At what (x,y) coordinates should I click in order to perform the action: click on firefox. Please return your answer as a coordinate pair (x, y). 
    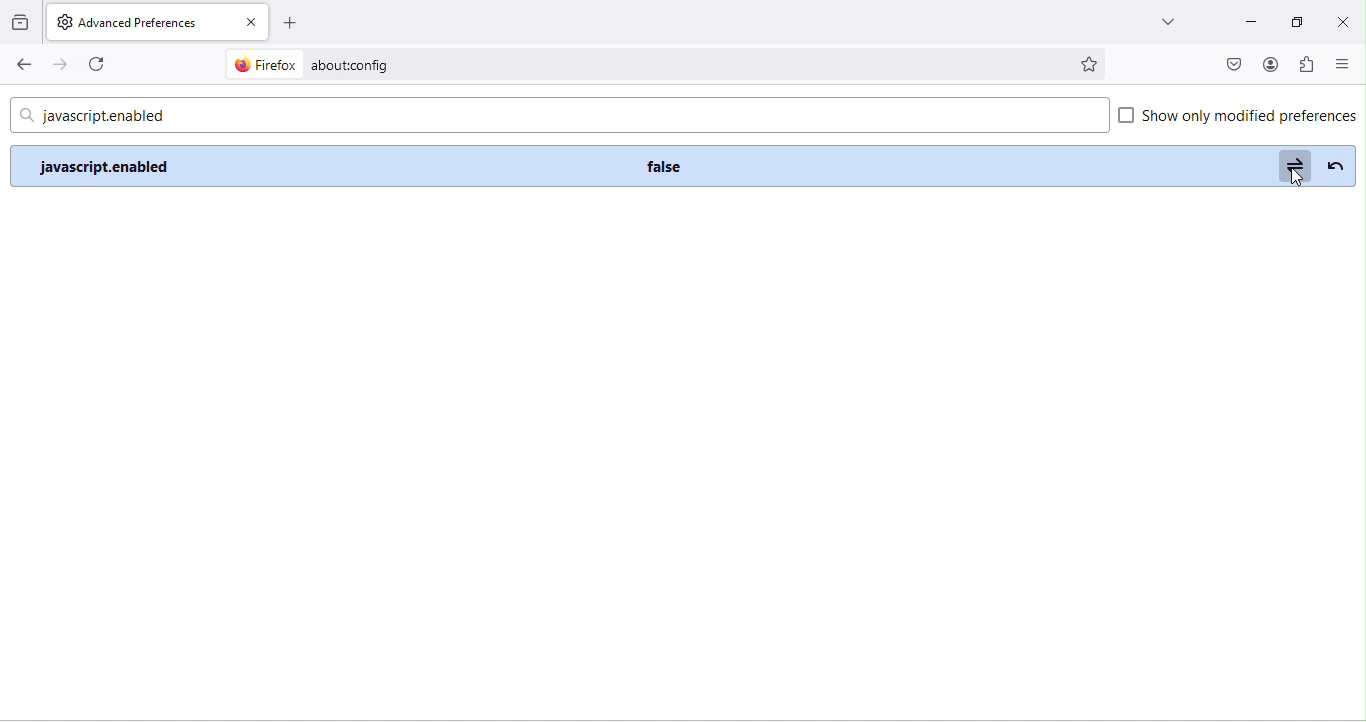
    Looking at the image, I should click on (264, 63).